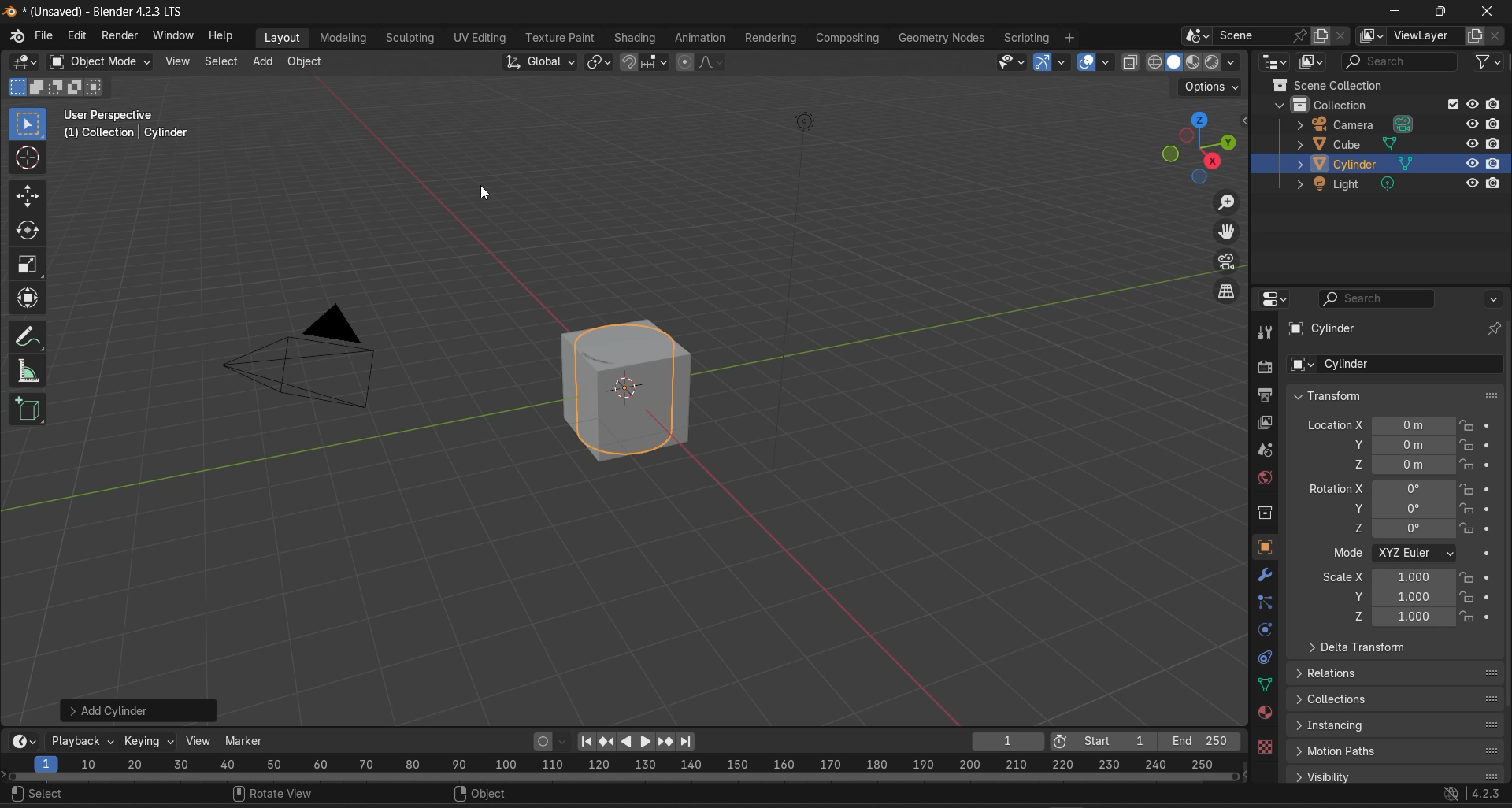 Image resolution: width=1512 pixels, height=808 pixels. What do you see at coordinates (45, 35) in the screenshot?
I see `file` at bounding box center [45, 35].